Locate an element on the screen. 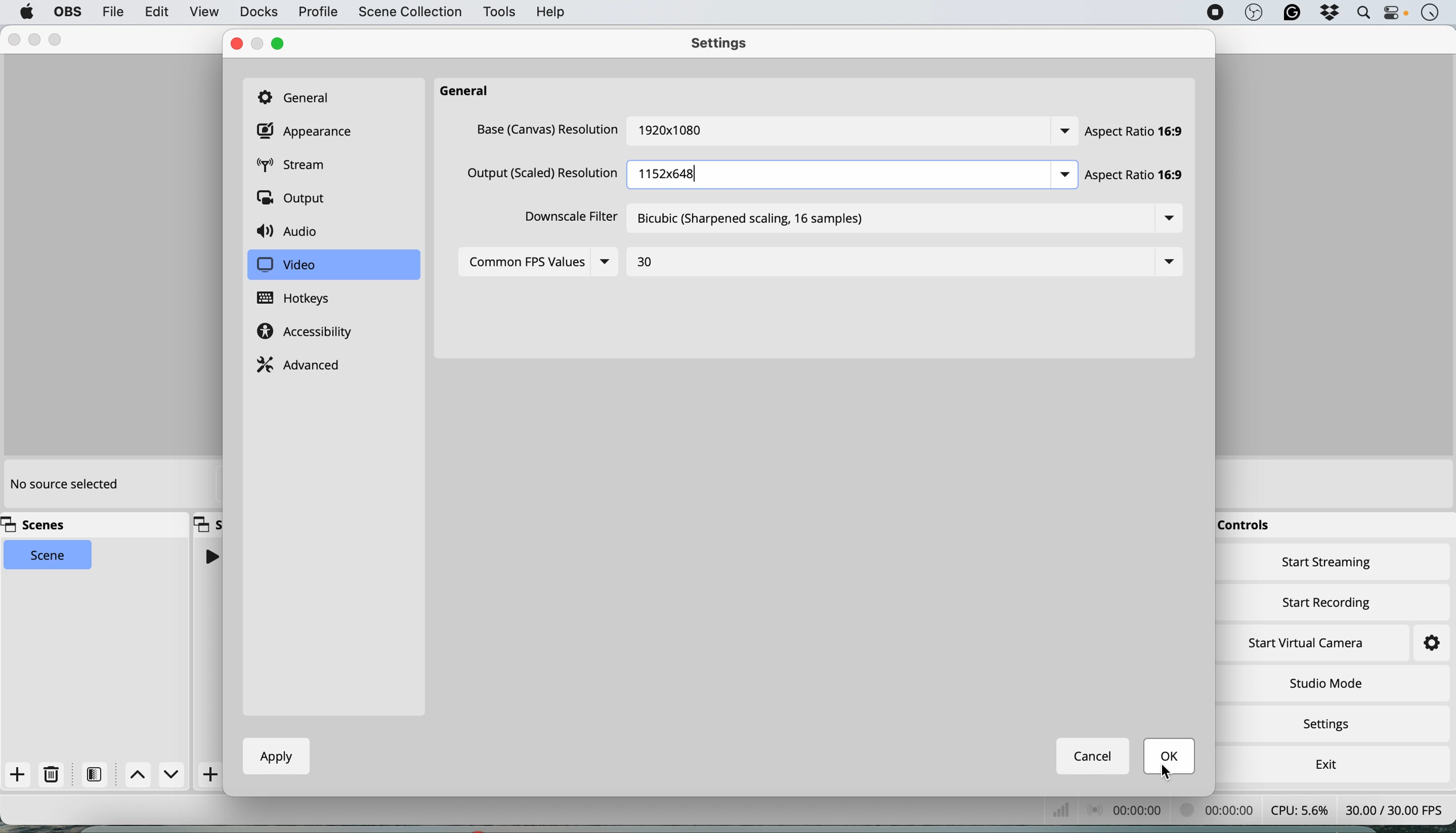 Image resolution: width=1456 pixels, height=833 pixels. 1920 is located at coordinates (687, 132).